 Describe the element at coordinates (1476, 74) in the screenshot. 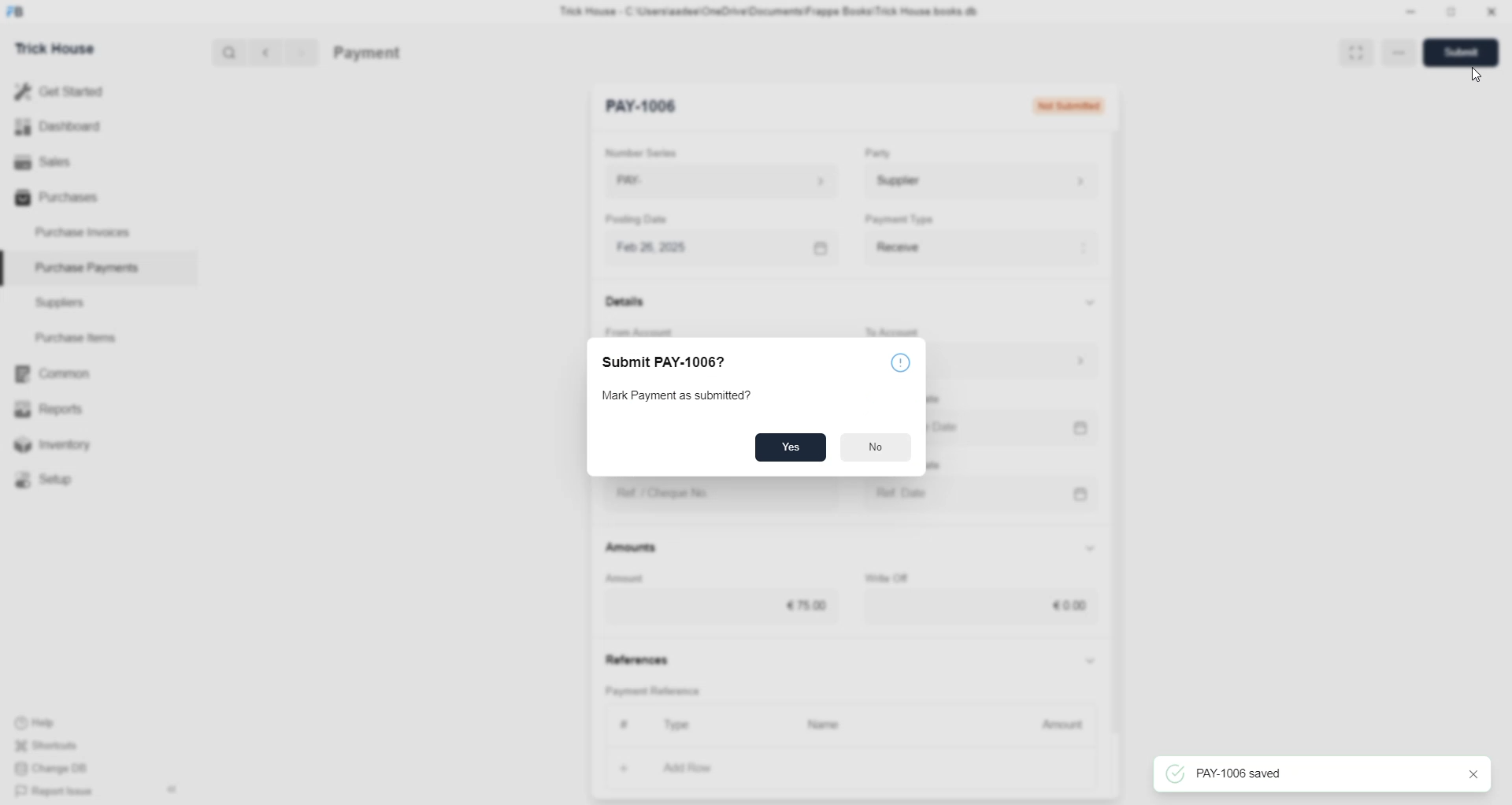

I see `cursor` at that location.